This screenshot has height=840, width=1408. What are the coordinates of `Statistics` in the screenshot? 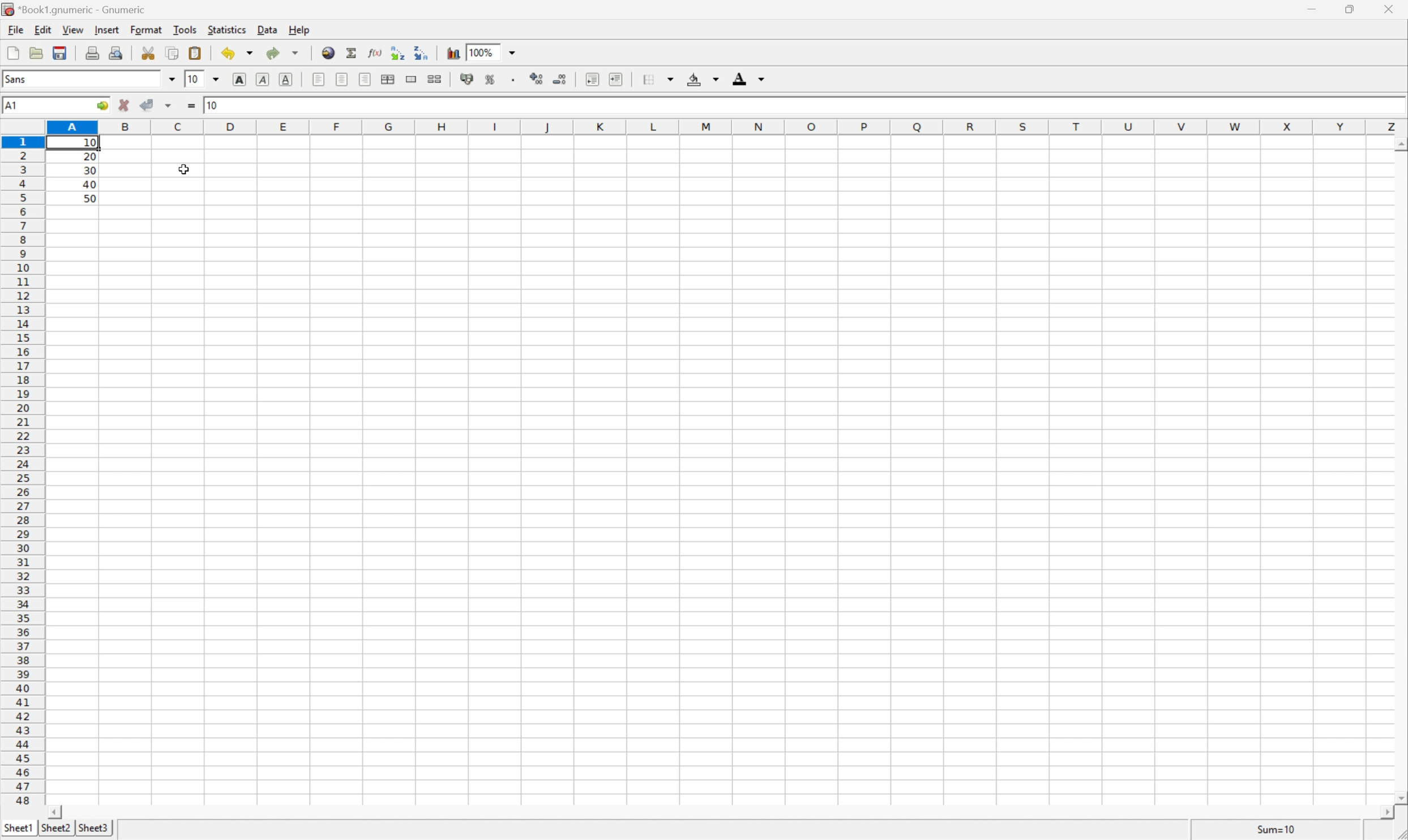 It's located at (227, 29).